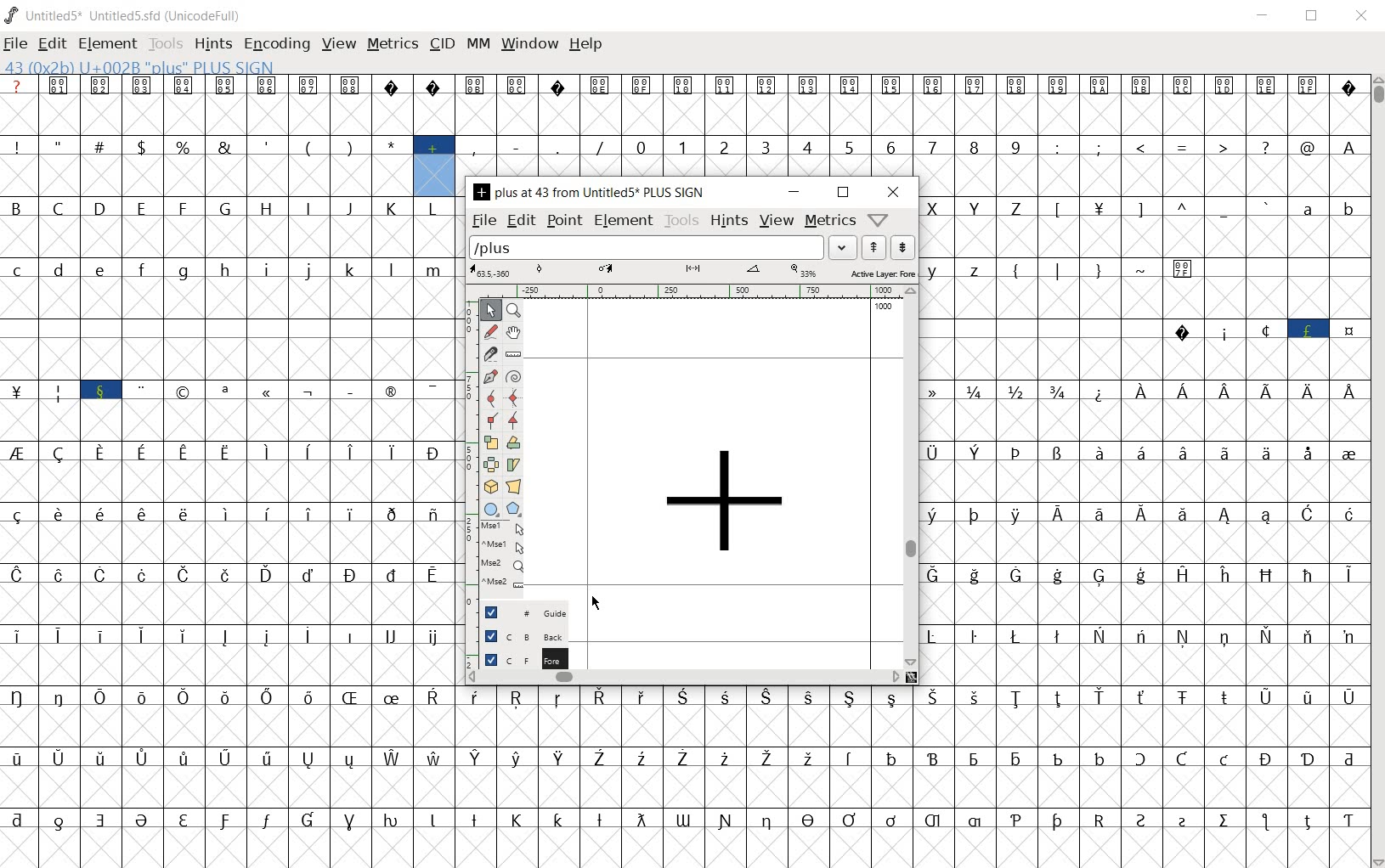  Describe the element at coordinates (683, 222) in the screenshot. I see `tools` at that location.